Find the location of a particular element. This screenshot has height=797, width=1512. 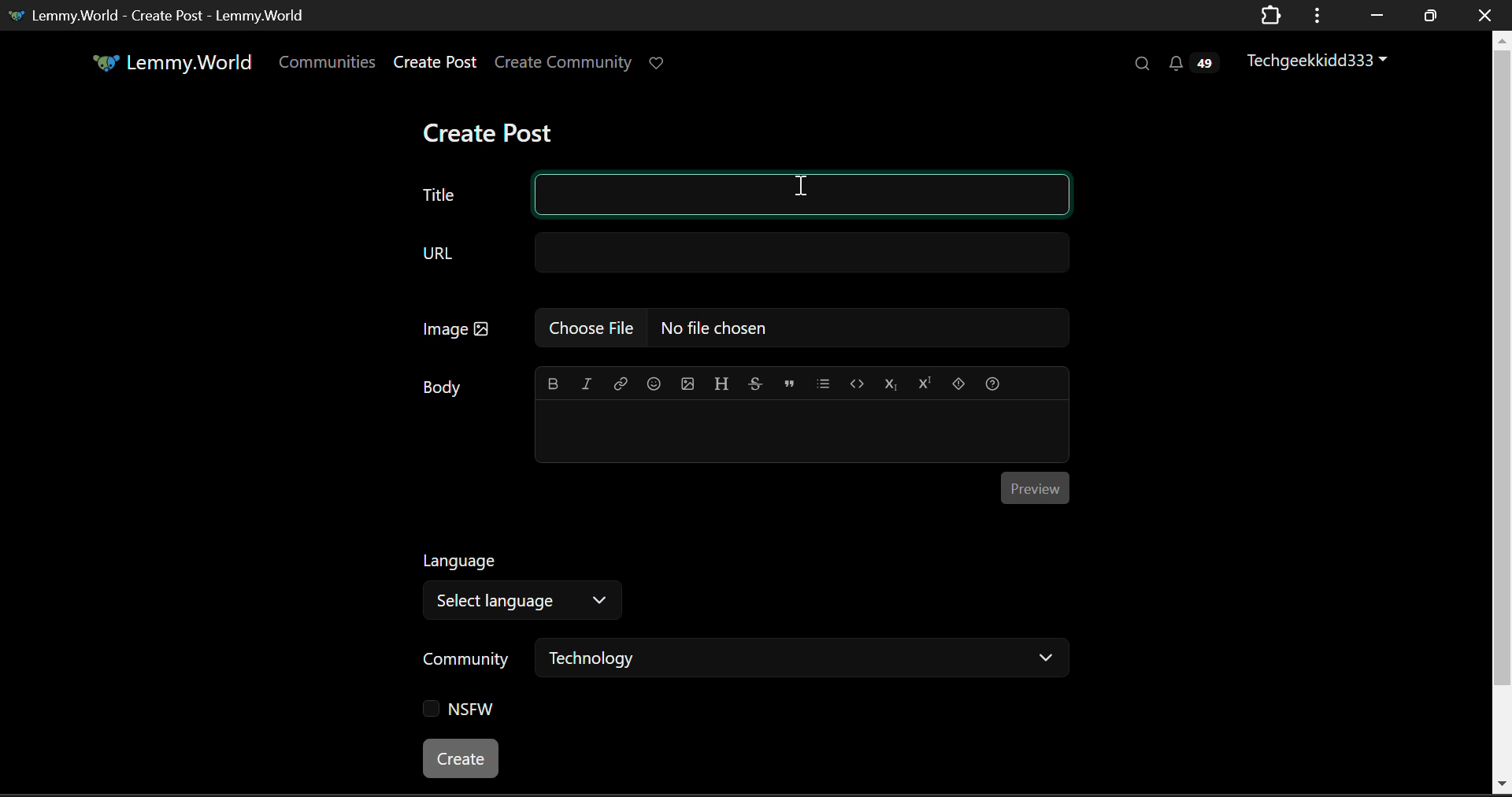

Link is located at coordinates (618, 385).